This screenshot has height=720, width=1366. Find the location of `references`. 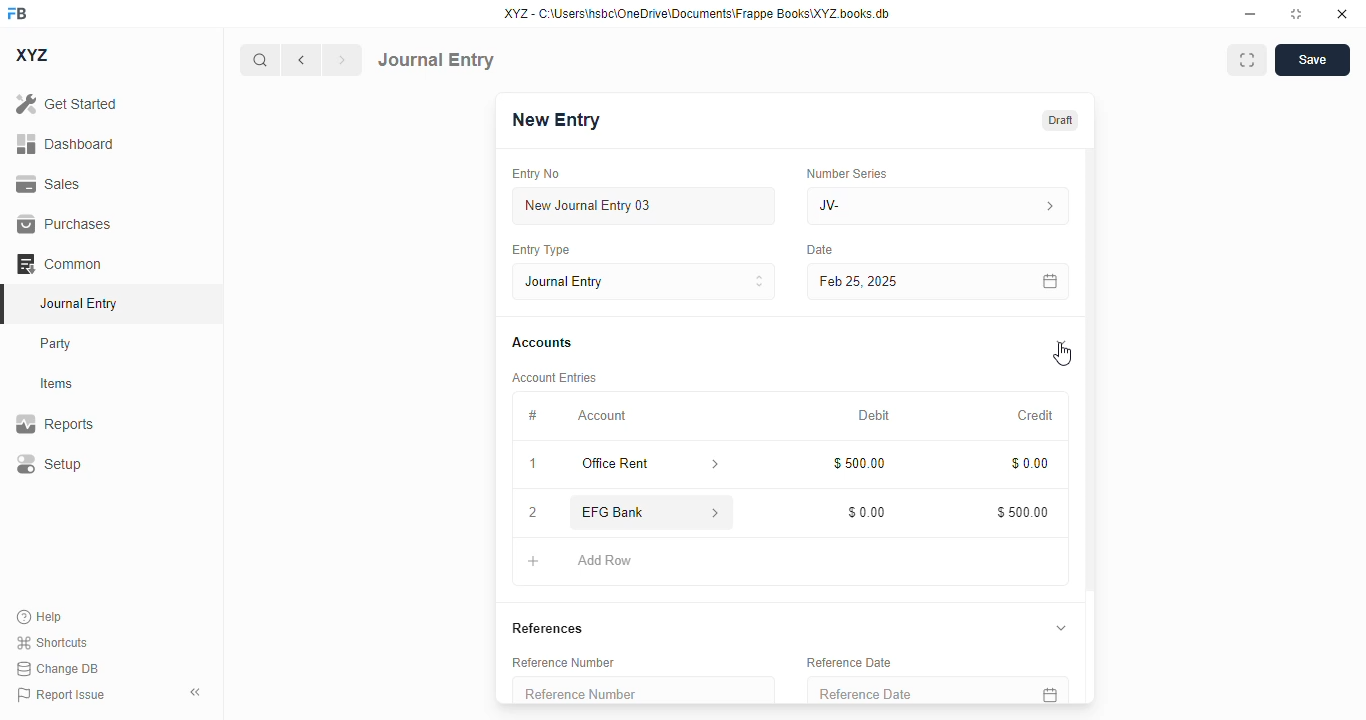

references is located at coordinates (548, 628).